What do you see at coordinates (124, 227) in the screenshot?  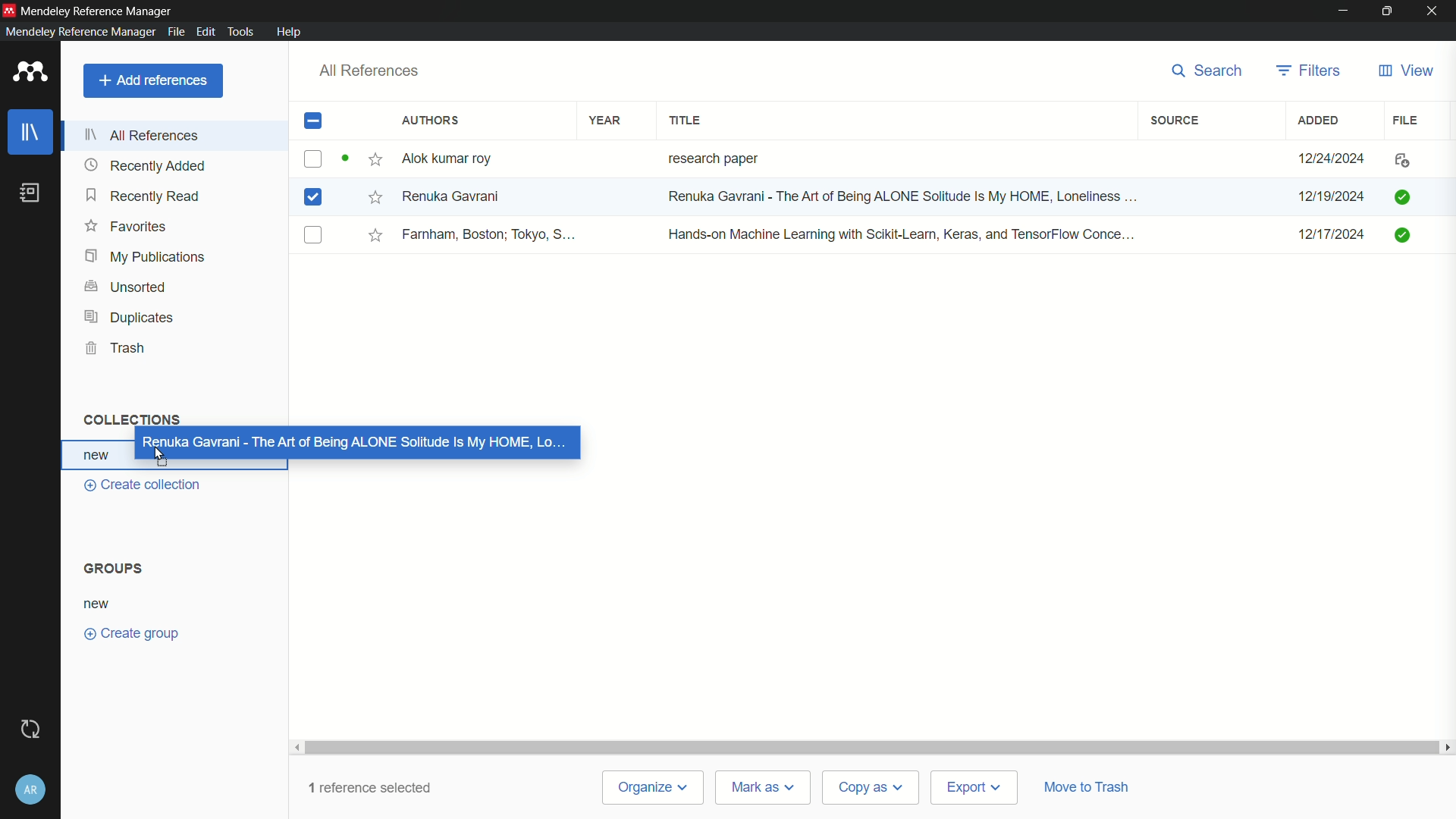 I see `favorites` at bounding box center [124, 227].